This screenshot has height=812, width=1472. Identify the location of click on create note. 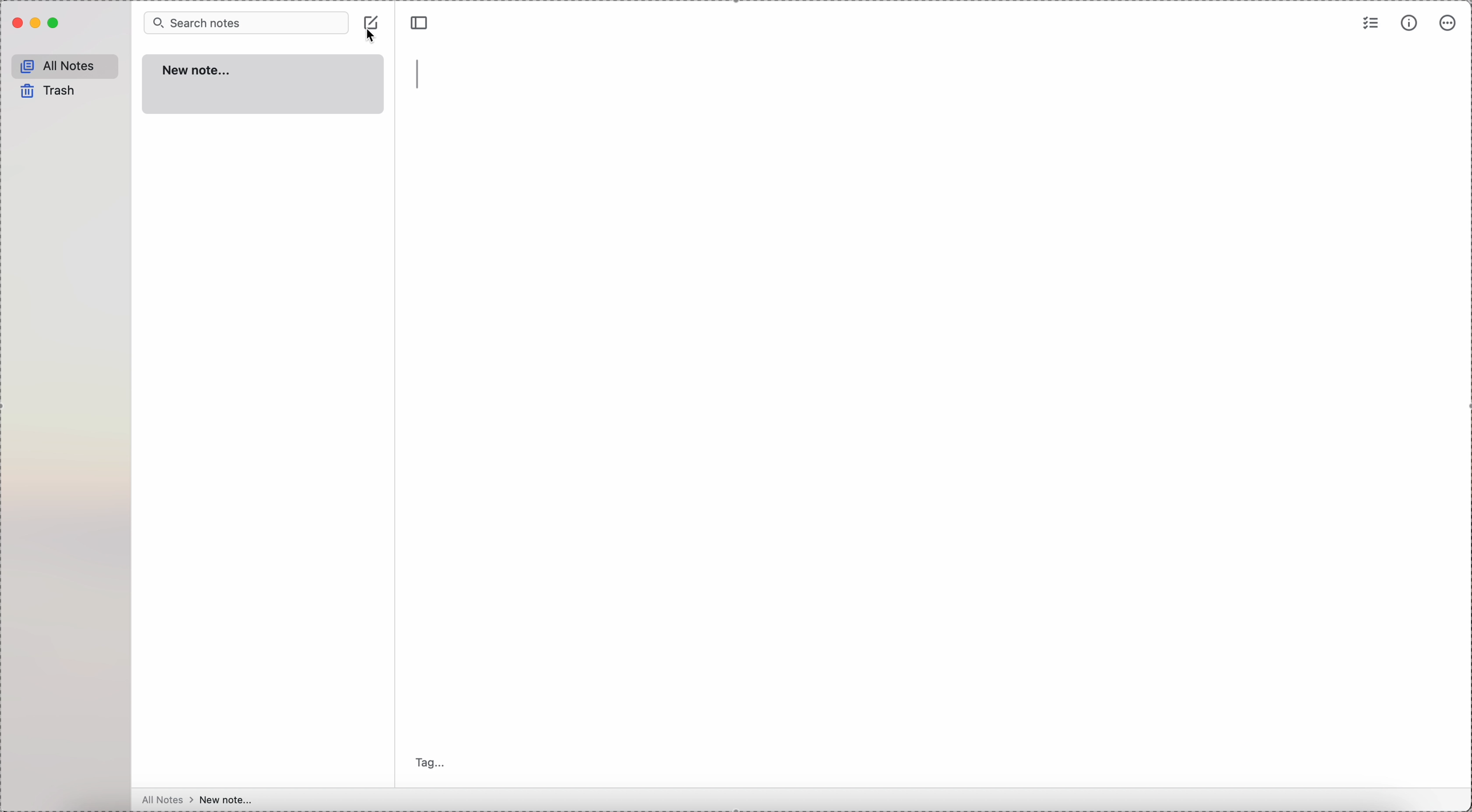
(372, 30).